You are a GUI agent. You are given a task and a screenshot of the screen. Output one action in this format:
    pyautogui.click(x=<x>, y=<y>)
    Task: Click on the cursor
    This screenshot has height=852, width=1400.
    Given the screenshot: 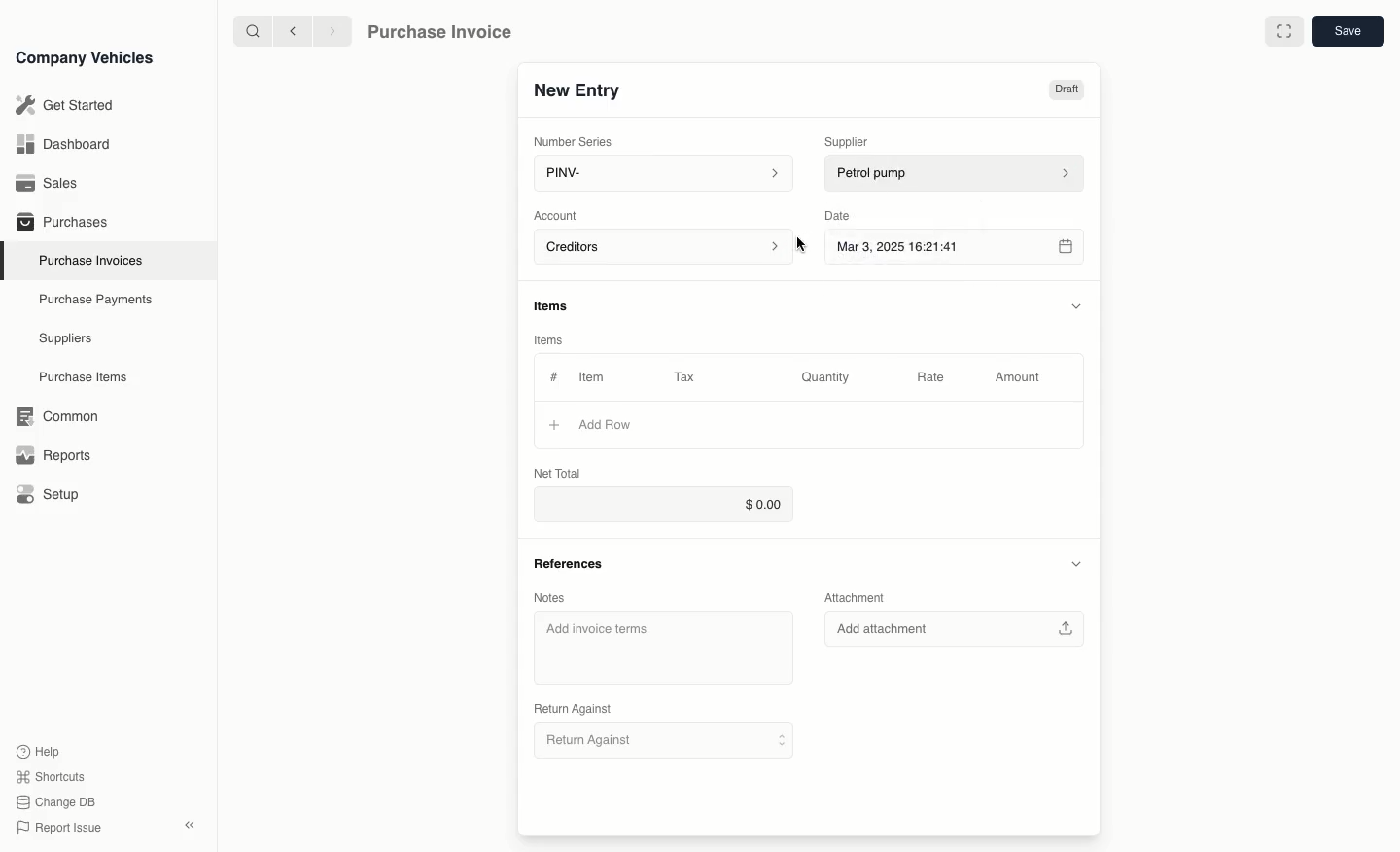 What is the action you would take?
    pyautogui.click(x=801, y=247)
    